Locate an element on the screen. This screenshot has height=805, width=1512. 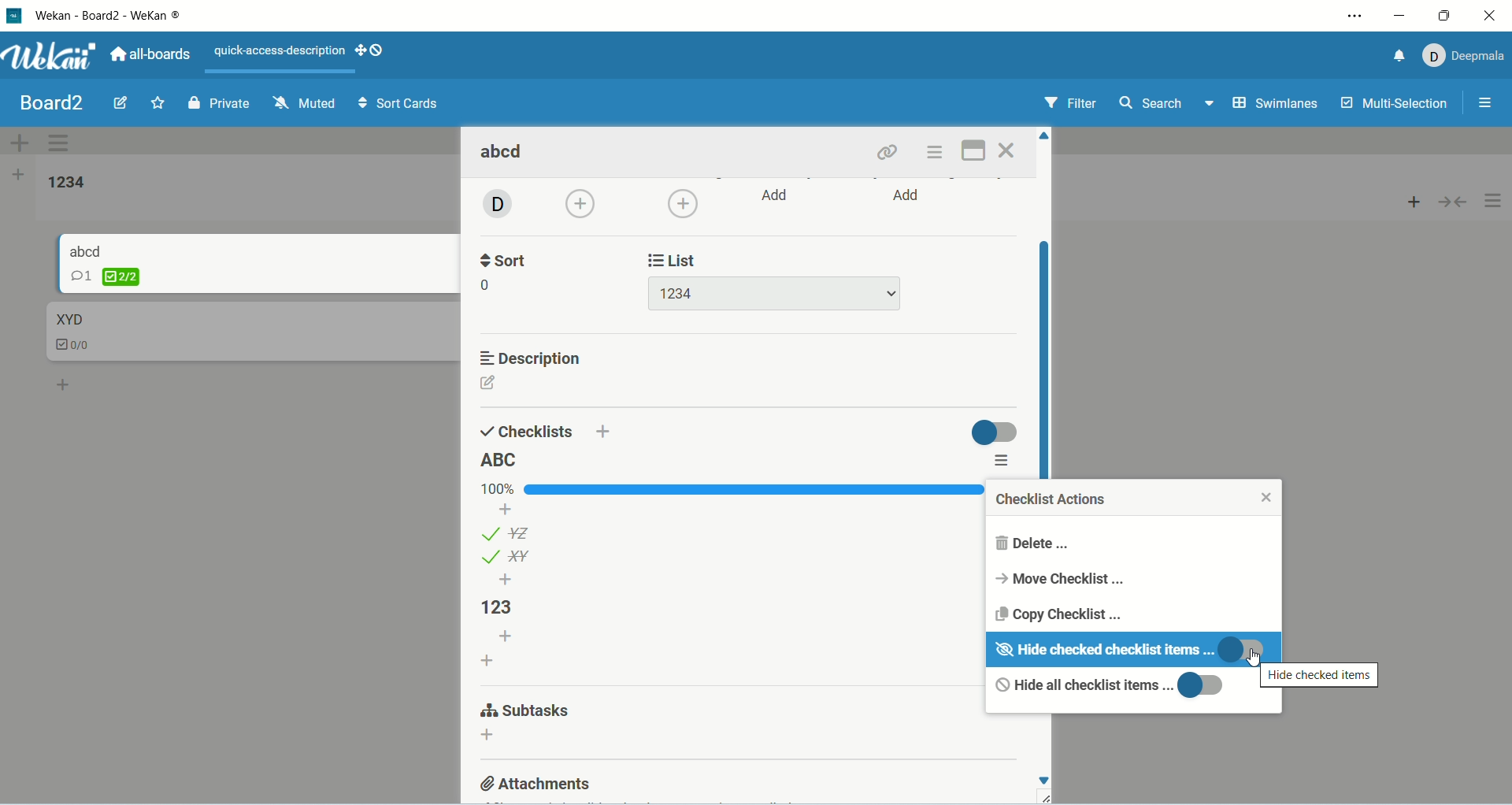
hide completed checklist items is located at coordinates (1099, 649).